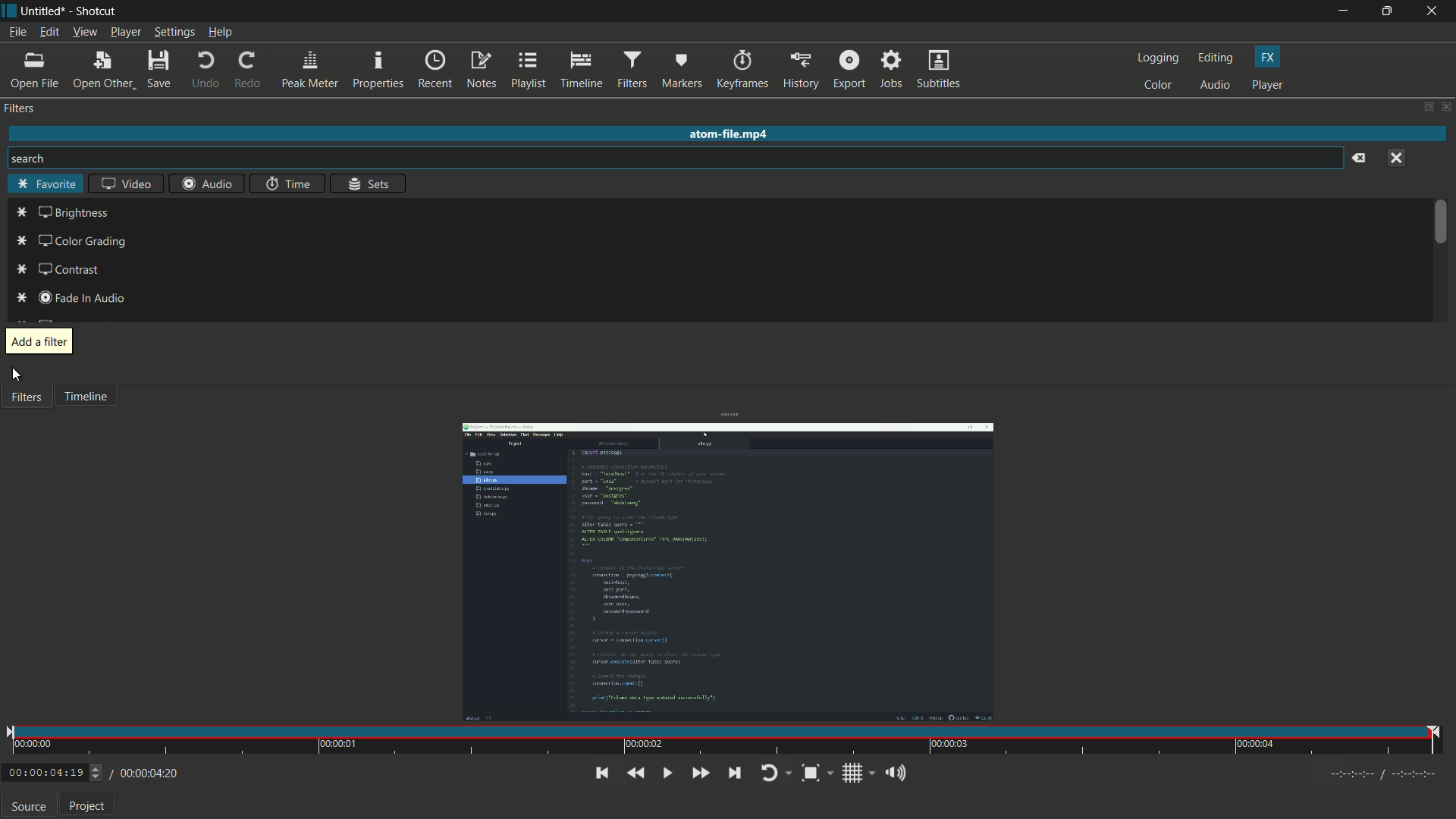 Image resolution: width=1456 pixels, height=819 pixels. Describe the element at coordinates (17, 376) in the screenshot. I see `cursor` at that location.